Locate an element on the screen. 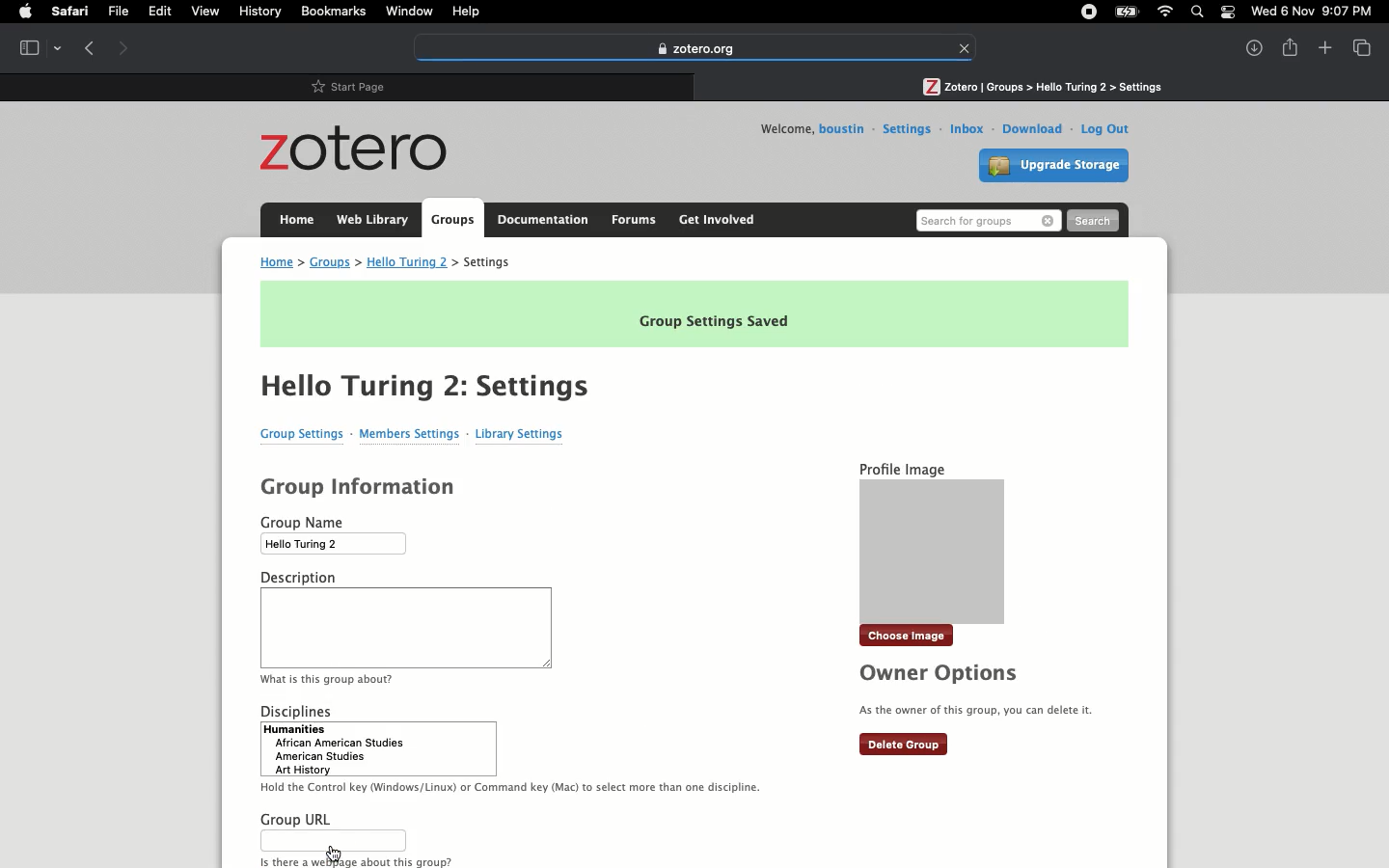 This screenshot has height=868, width=1389. Welcome is located at coordinates (781, 128).